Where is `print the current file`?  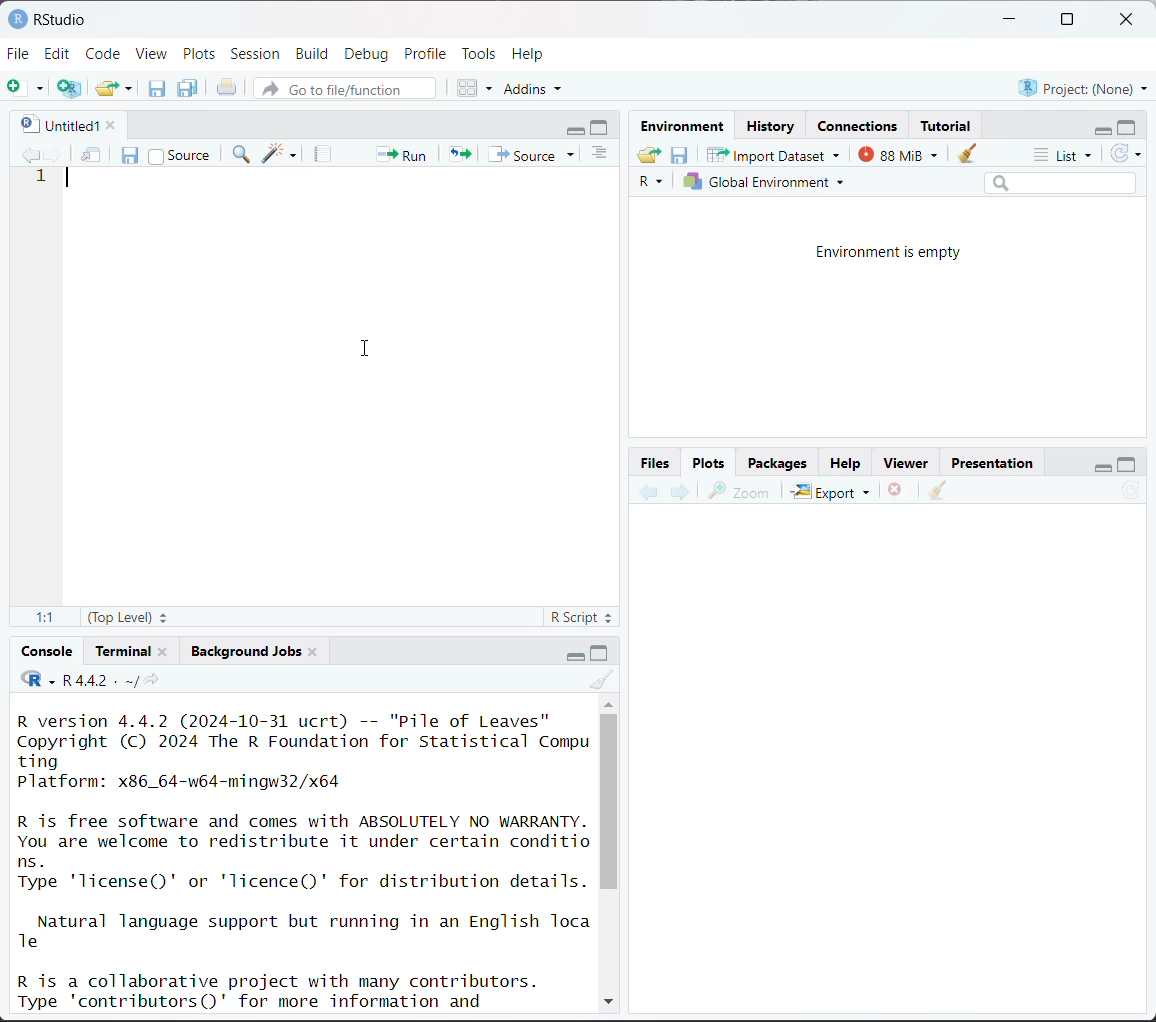
print the current file is located at coordinates (228, 88).